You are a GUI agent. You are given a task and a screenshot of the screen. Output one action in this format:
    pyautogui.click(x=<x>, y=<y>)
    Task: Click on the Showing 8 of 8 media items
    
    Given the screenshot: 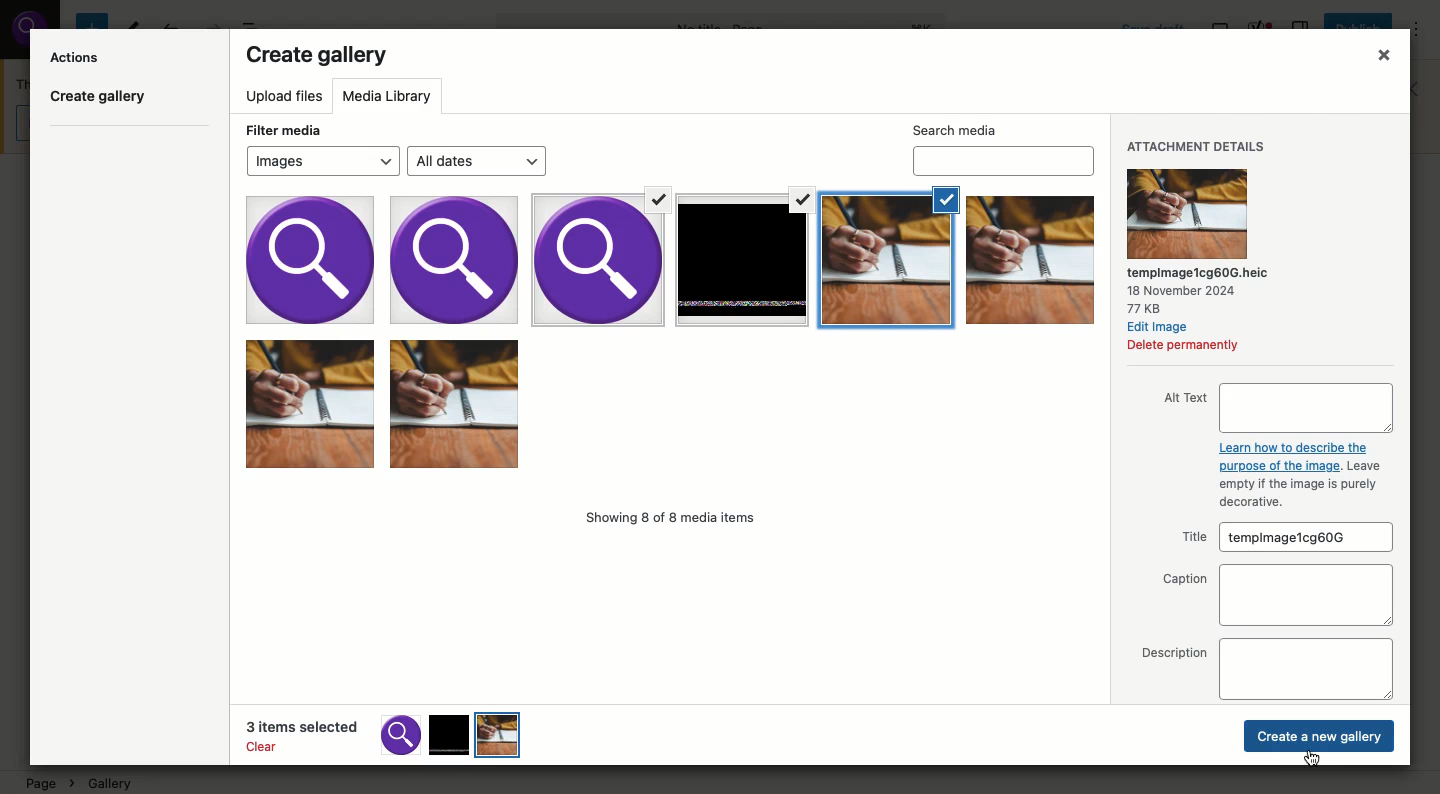 What is the action you would take?
    pyautogui.click(x=675, y=520)
    